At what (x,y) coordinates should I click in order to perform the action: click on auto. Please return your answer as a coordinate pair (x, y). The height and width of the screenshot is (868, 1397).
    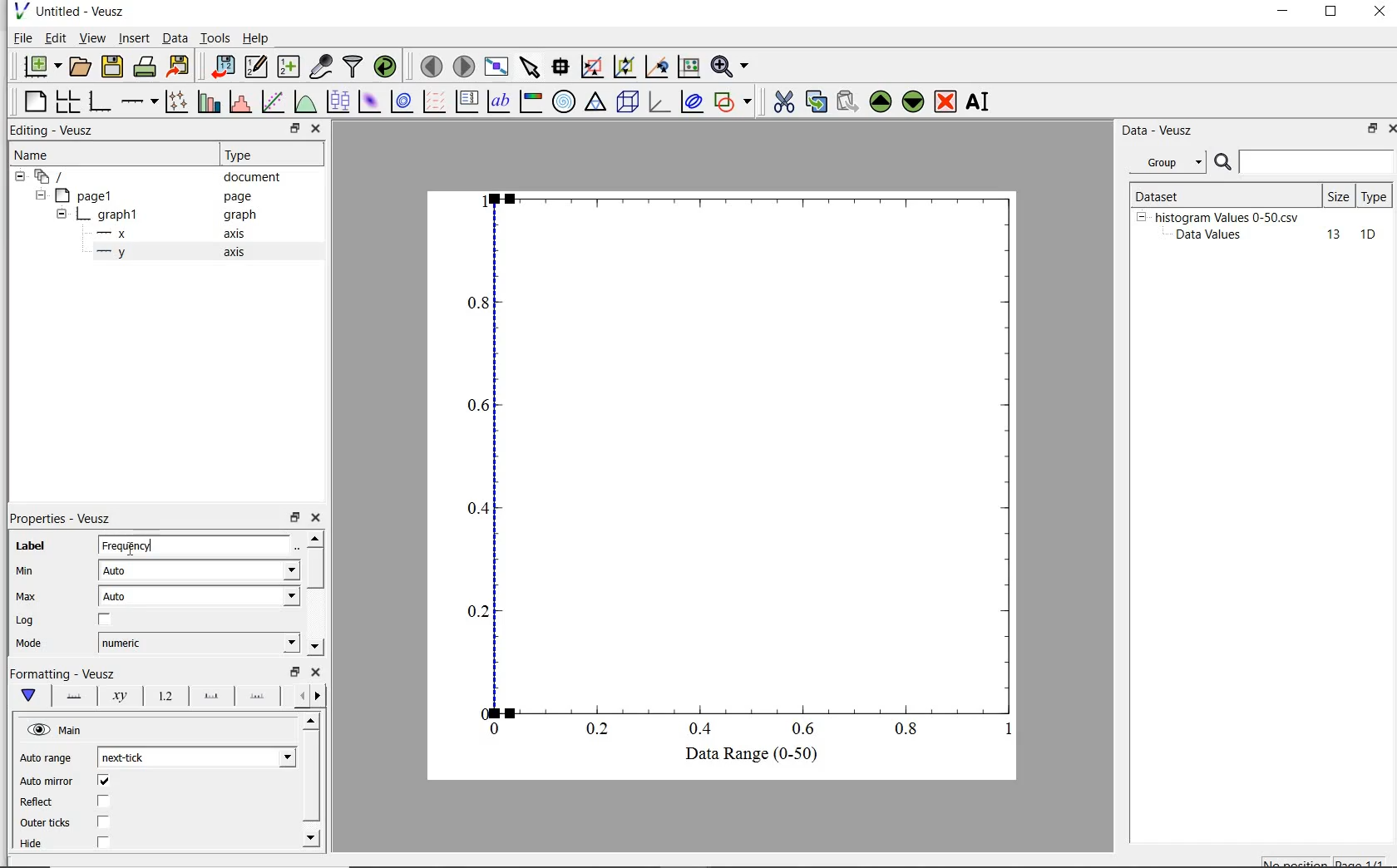
    Looking at the image, I should click on (201, 596).